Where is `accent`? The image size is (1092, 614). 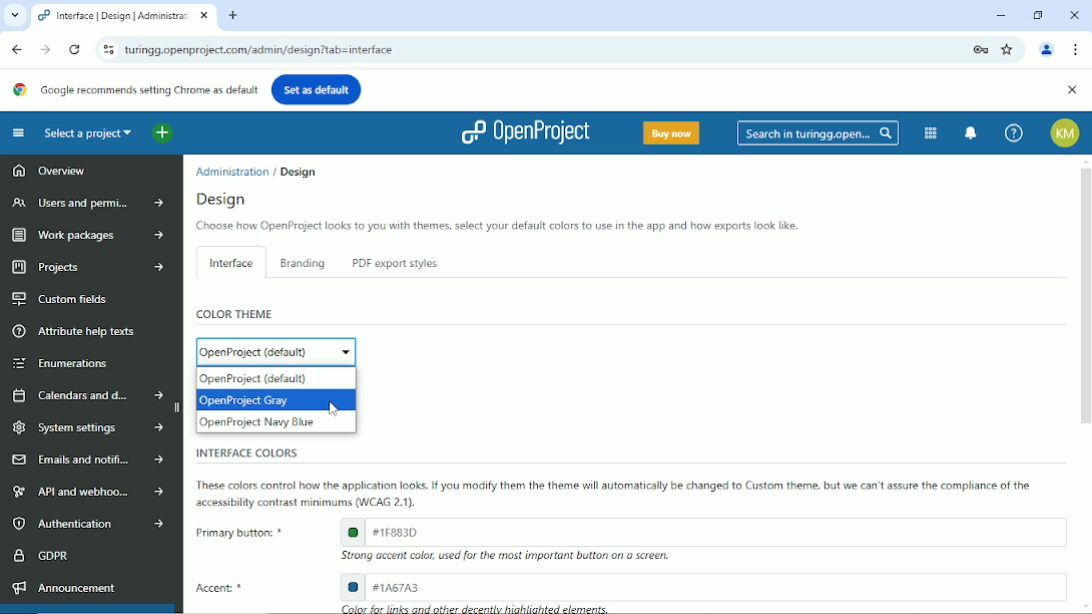 accent is located at coordinates (703, 586).